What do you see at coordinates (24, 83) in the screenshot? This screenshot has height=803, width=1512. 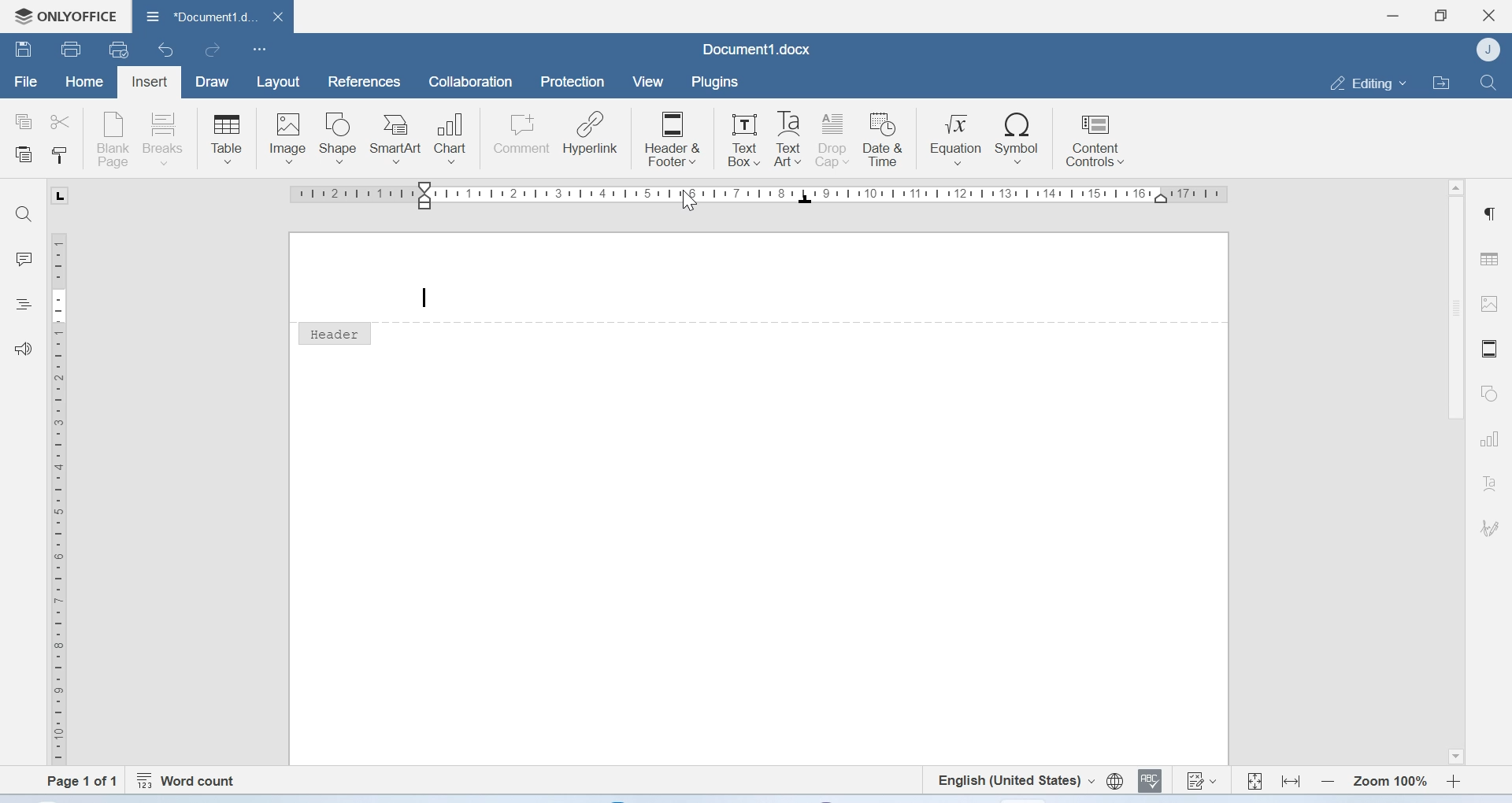 I see `File` at bounding box center [24, 83].